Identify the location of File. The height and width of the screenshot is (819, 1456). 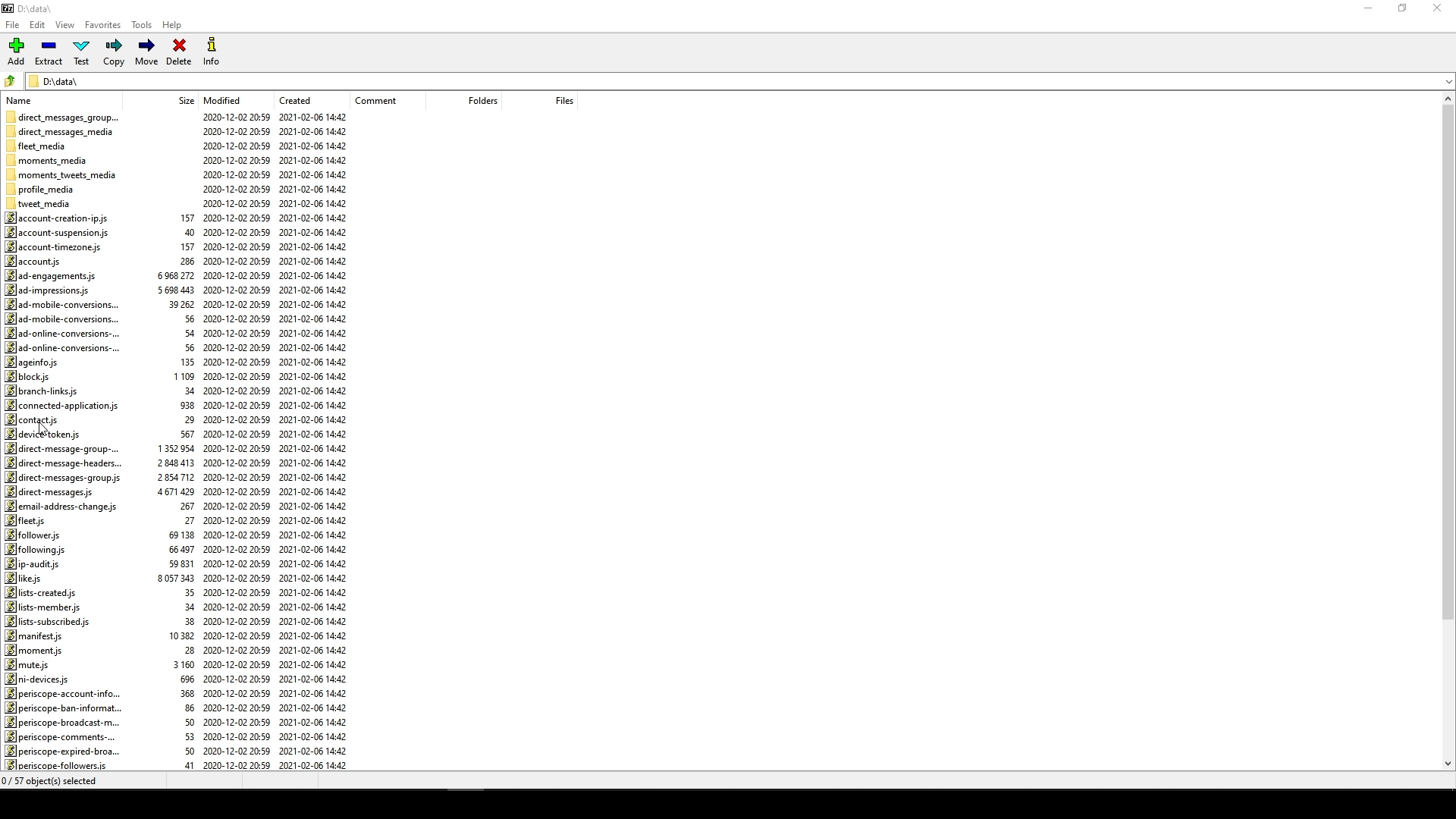
(15, 22).